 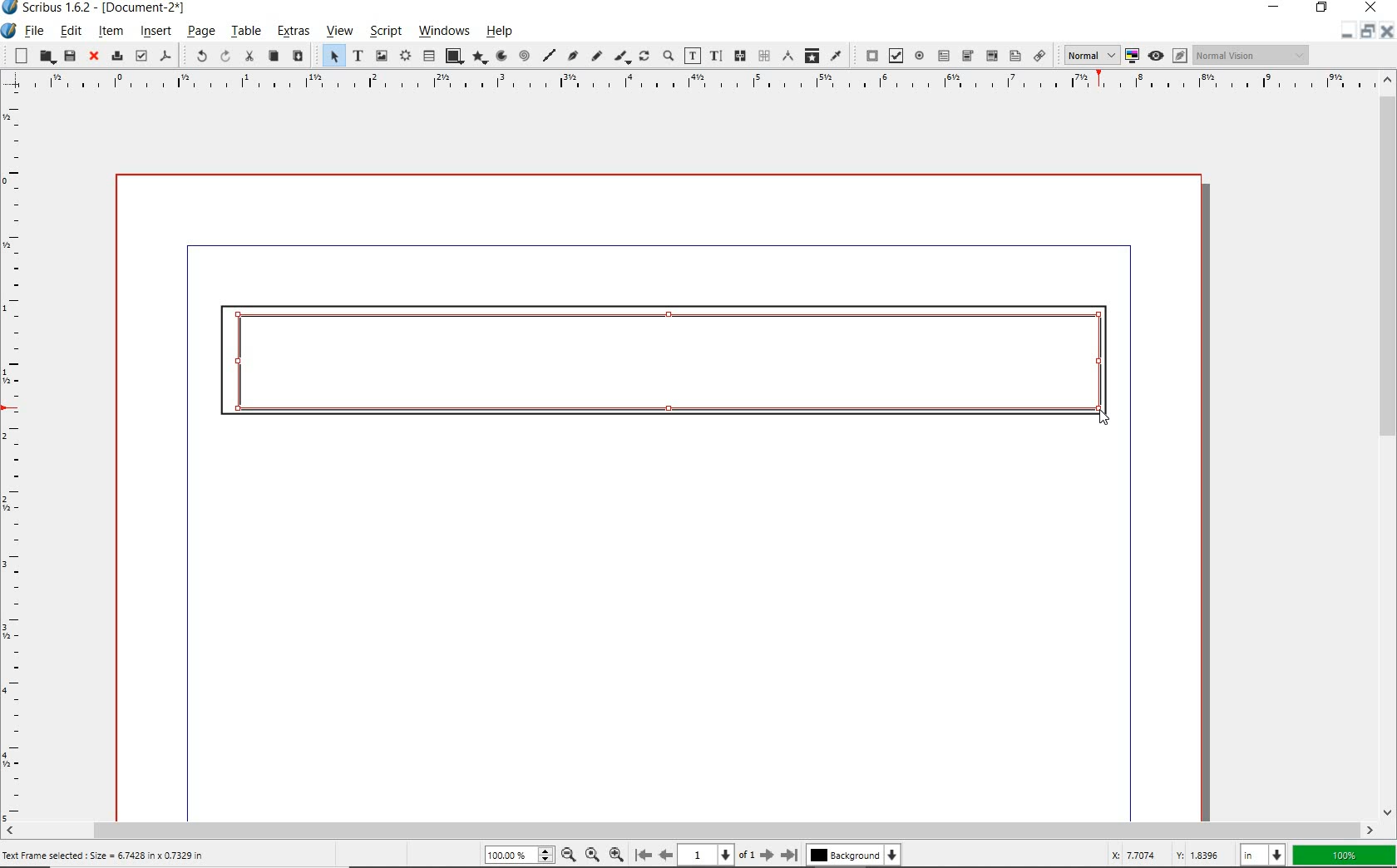 What do you see at coordinates (596, 57) in the screenshot?
I see `freehand line` at bounding box center [596, 57].